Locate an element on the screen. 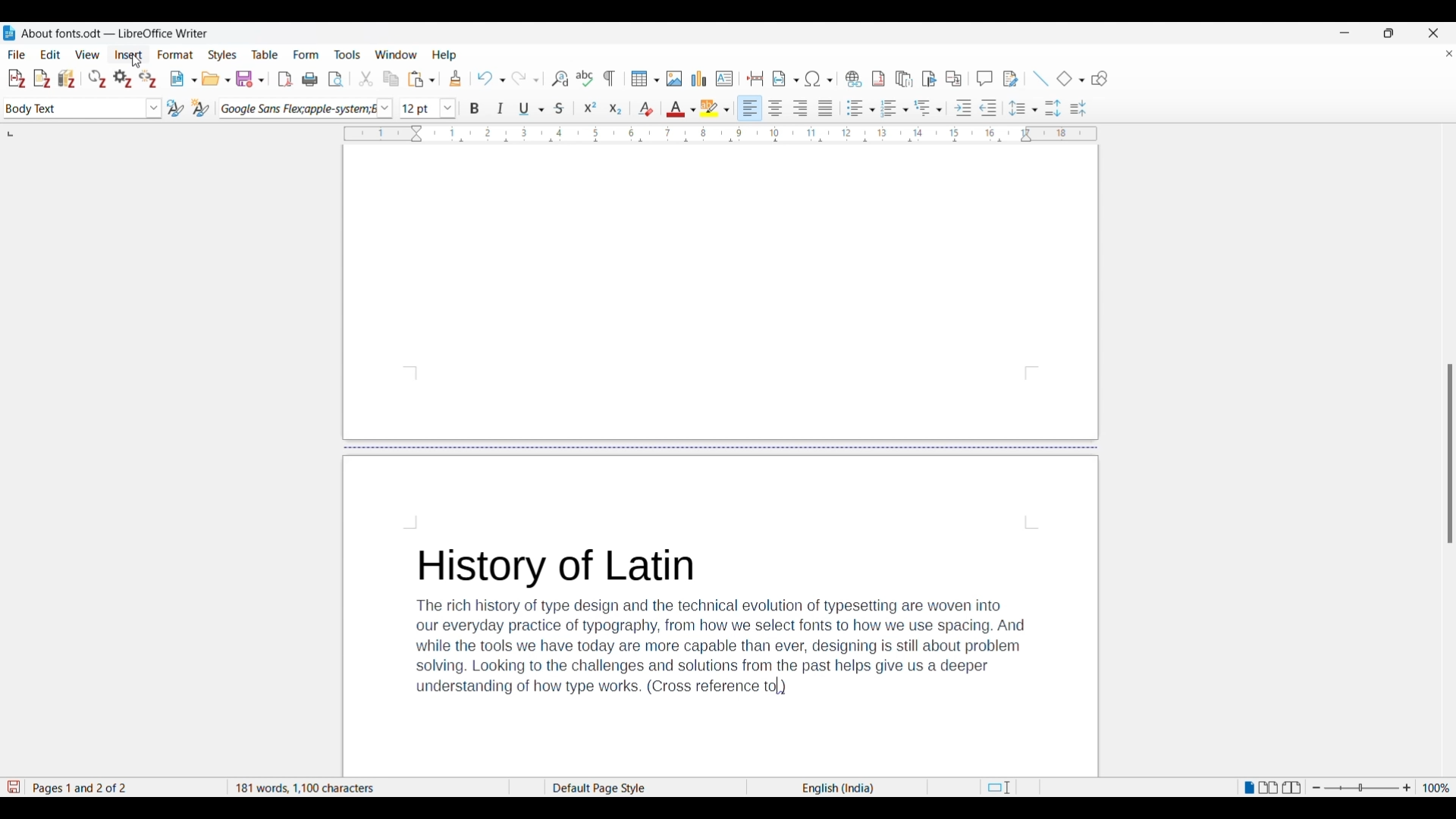  Align left, current selection highlighted is located at coordinates (750, 108).